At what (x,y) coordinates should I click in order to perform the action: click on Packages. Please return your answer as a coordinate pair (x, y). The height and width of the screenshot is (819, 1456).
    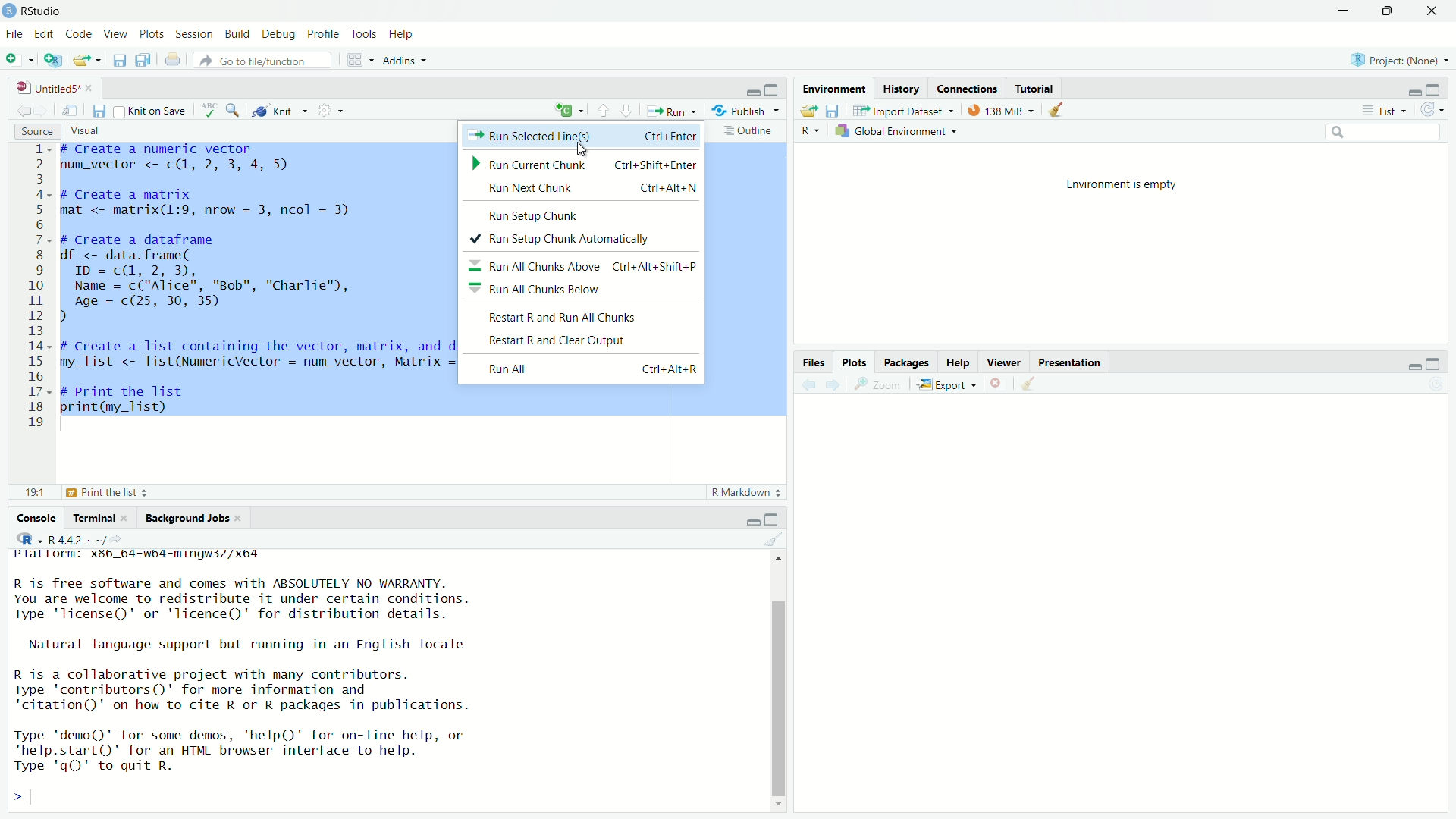
    Looking at the image, I should click on (907, 363).